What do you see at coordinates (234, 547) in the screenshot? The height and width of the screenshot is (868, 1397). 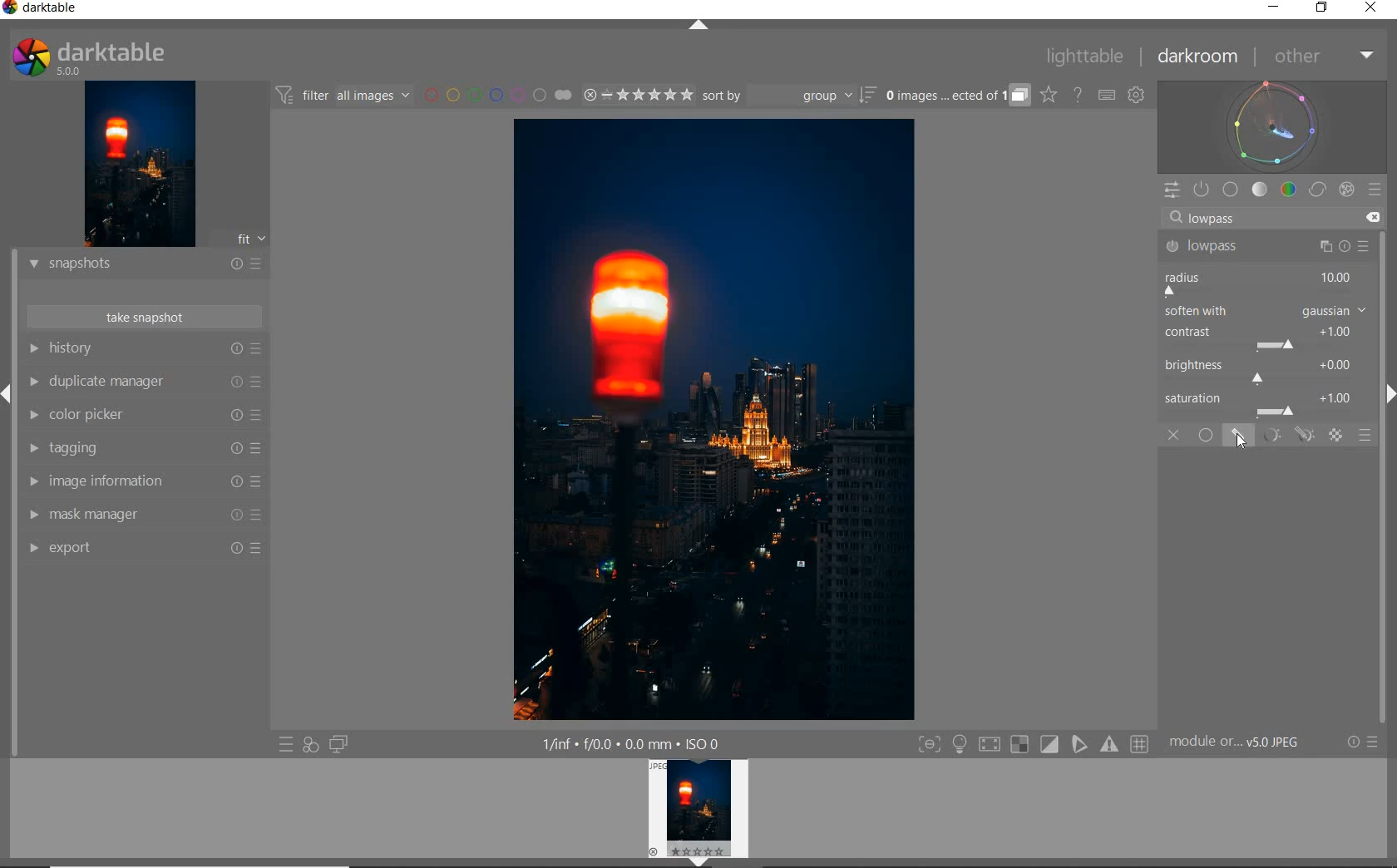 I see `Reset` at bounding box center [234, 547].